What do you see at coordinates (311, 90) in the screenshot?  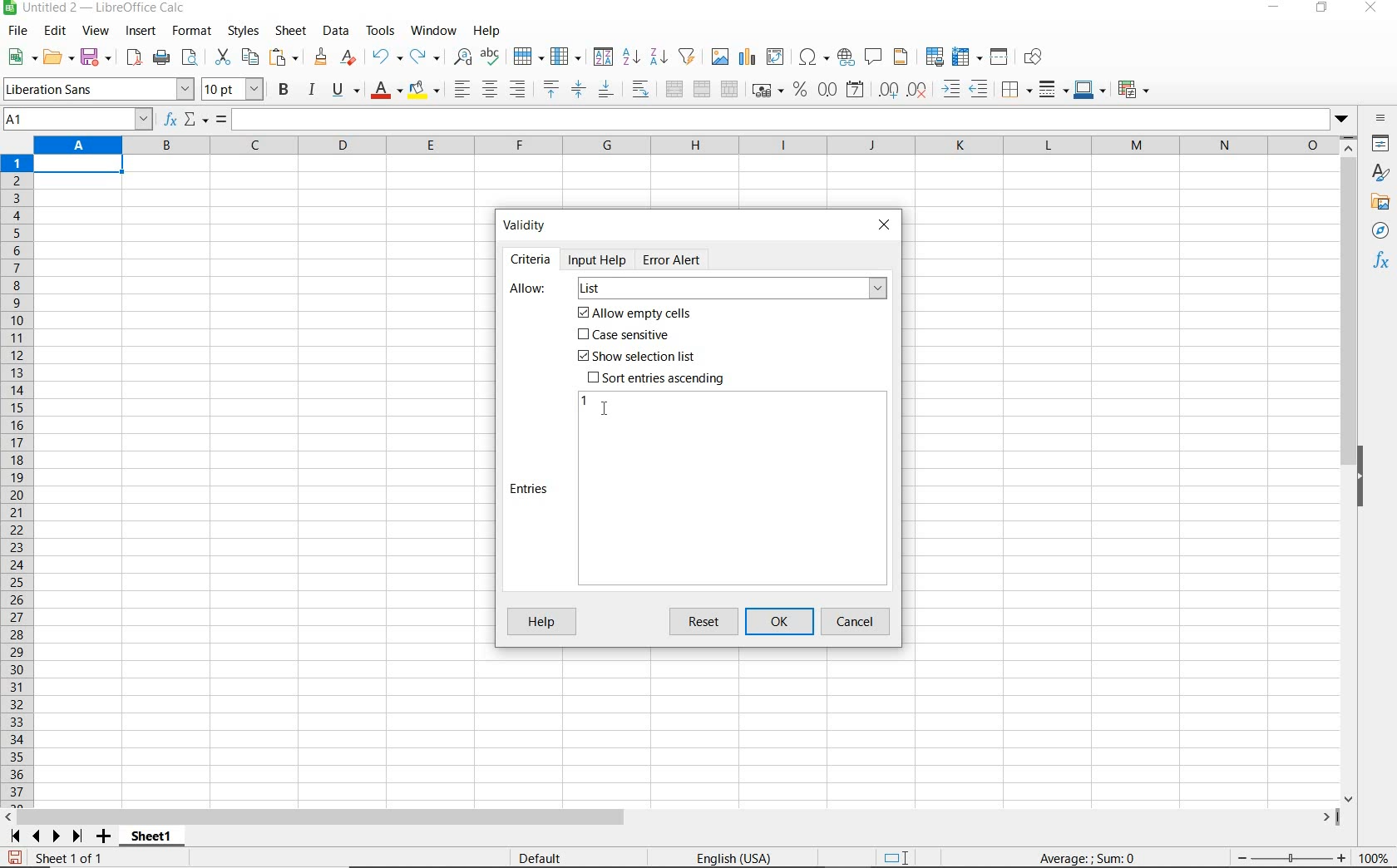 I see `italic` at bounding box center [311, 90].